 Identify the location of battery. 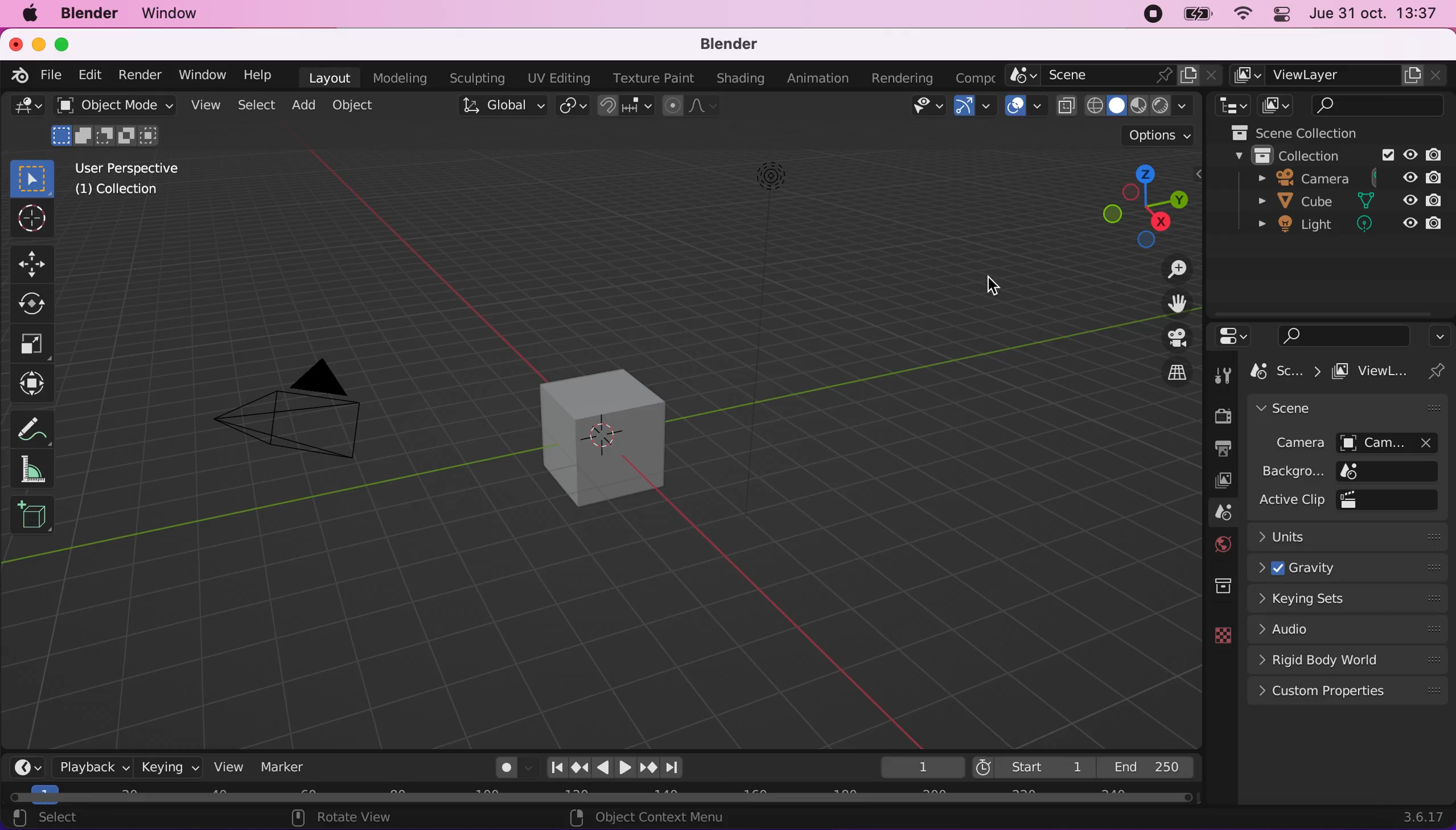
(1194, 14).